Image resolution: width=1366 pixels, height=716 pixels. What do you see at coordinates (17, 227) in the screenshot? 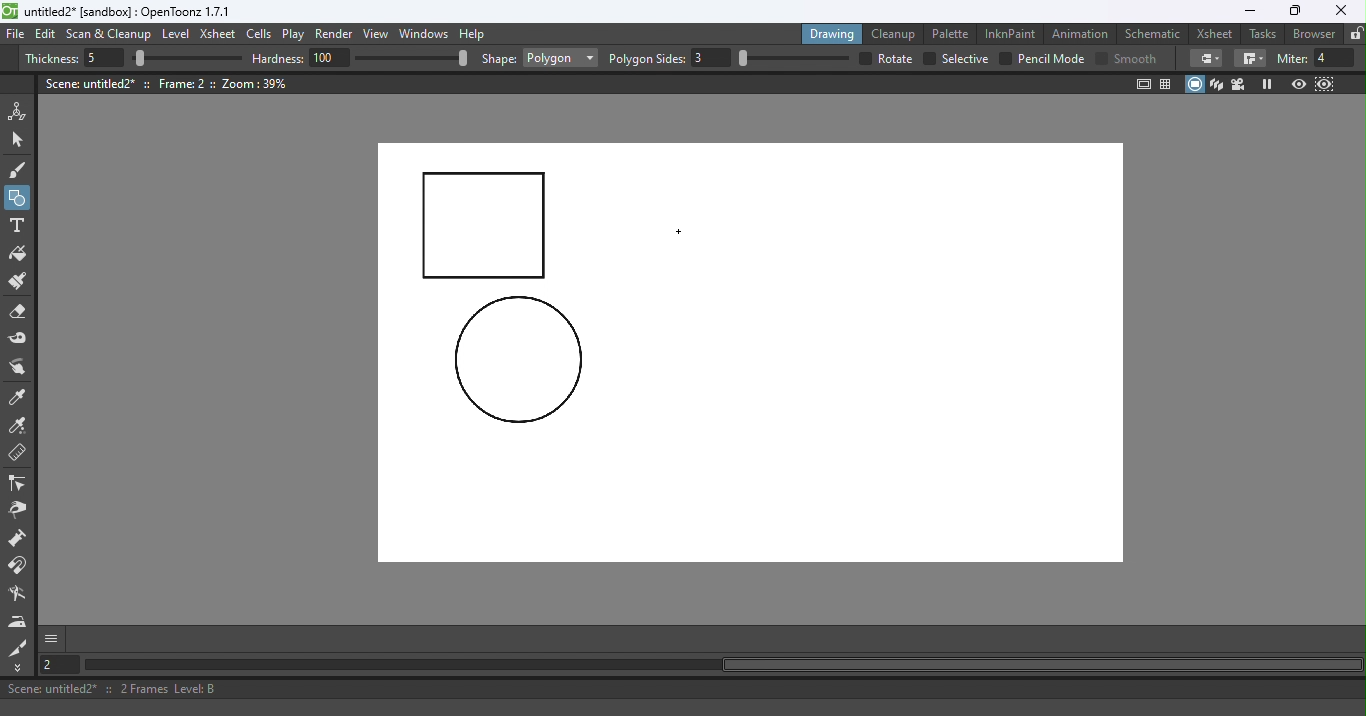
I see `Type tool` at bounding box center [17, 227].